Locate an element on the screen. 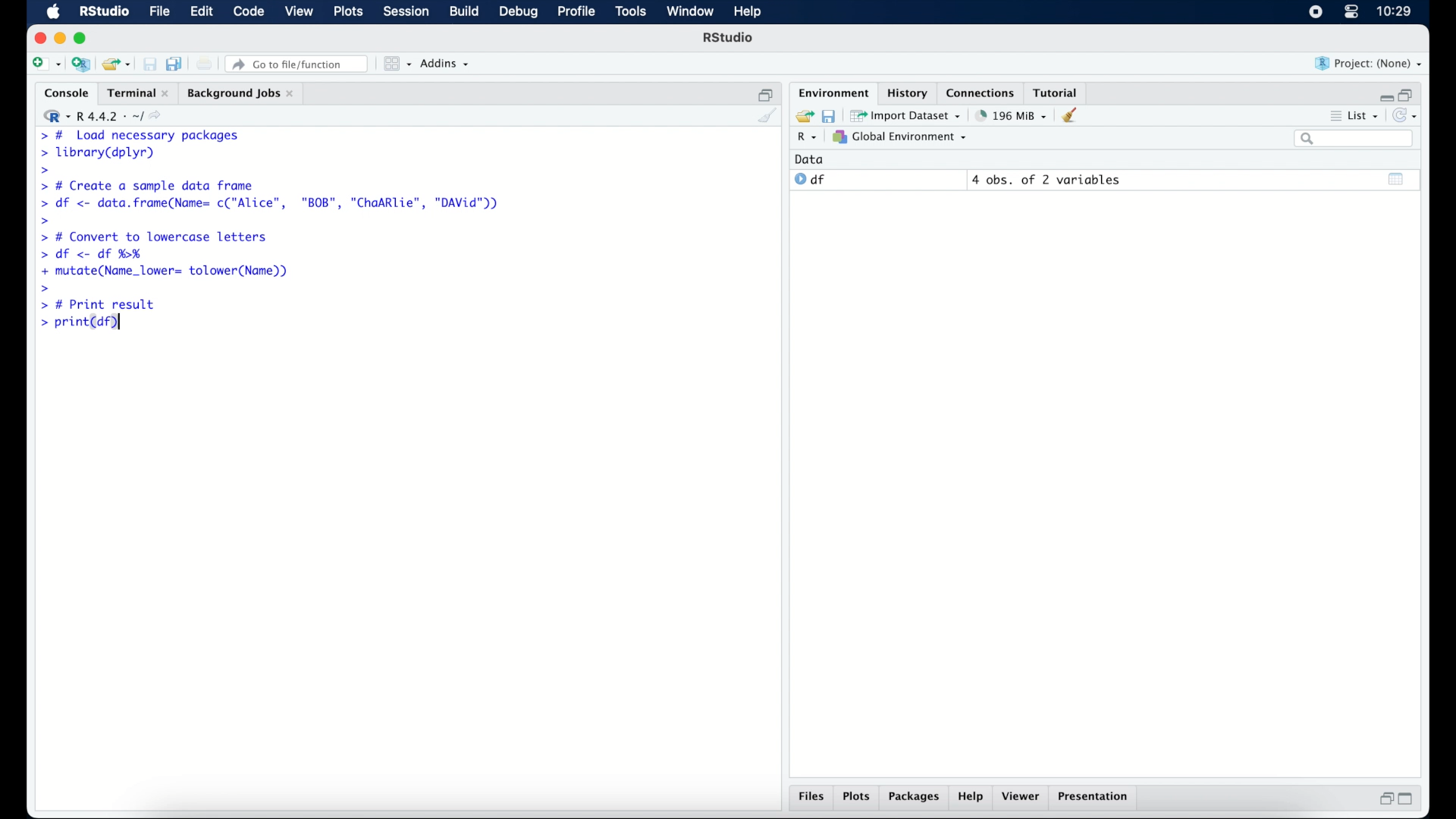 The width and height of the screenshot is (1456, 819). console is located at coordinates (63, 93).